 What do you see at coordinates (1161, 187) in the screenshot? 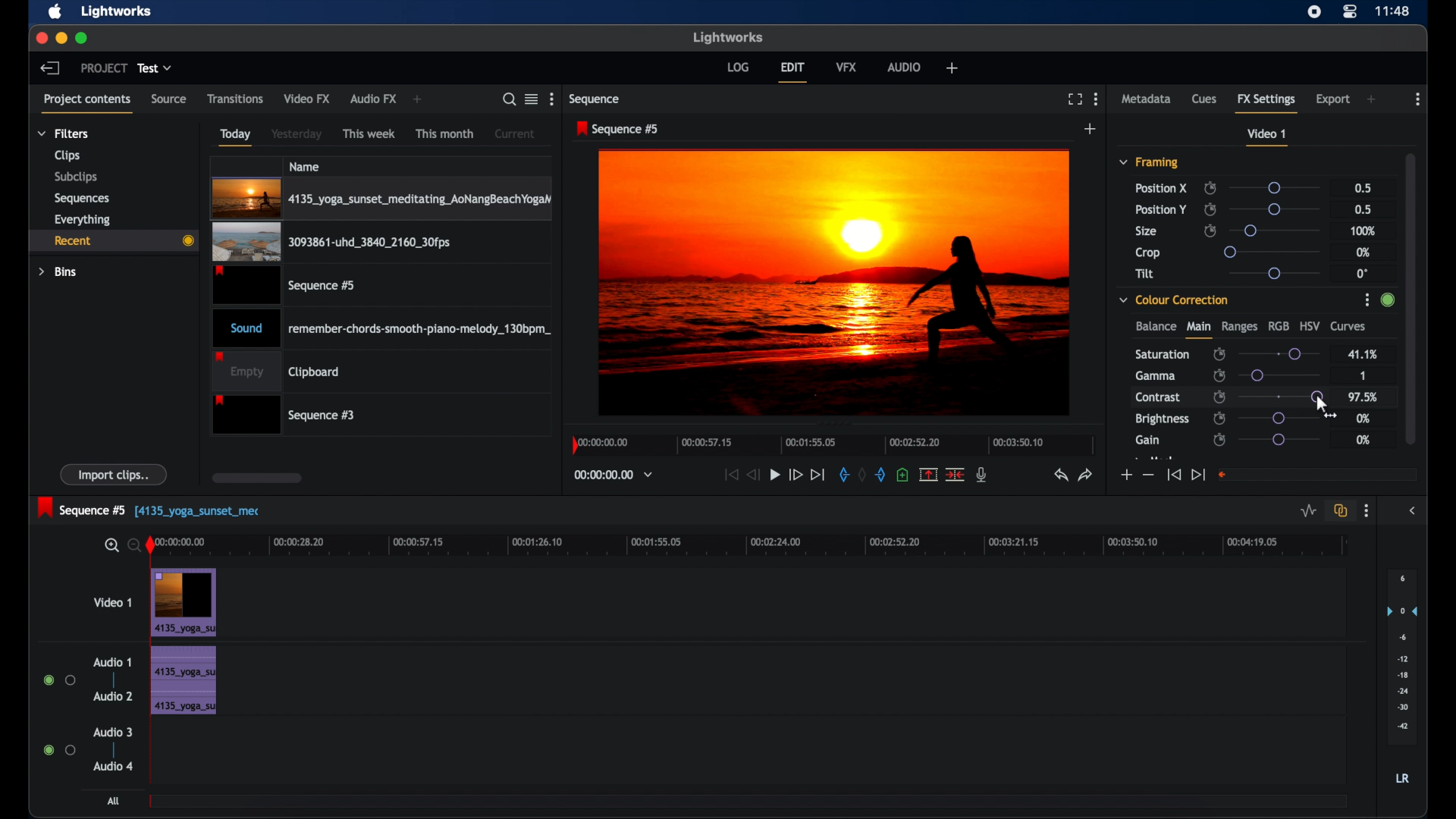
I see `position x` at bounding box center [1161, 187].